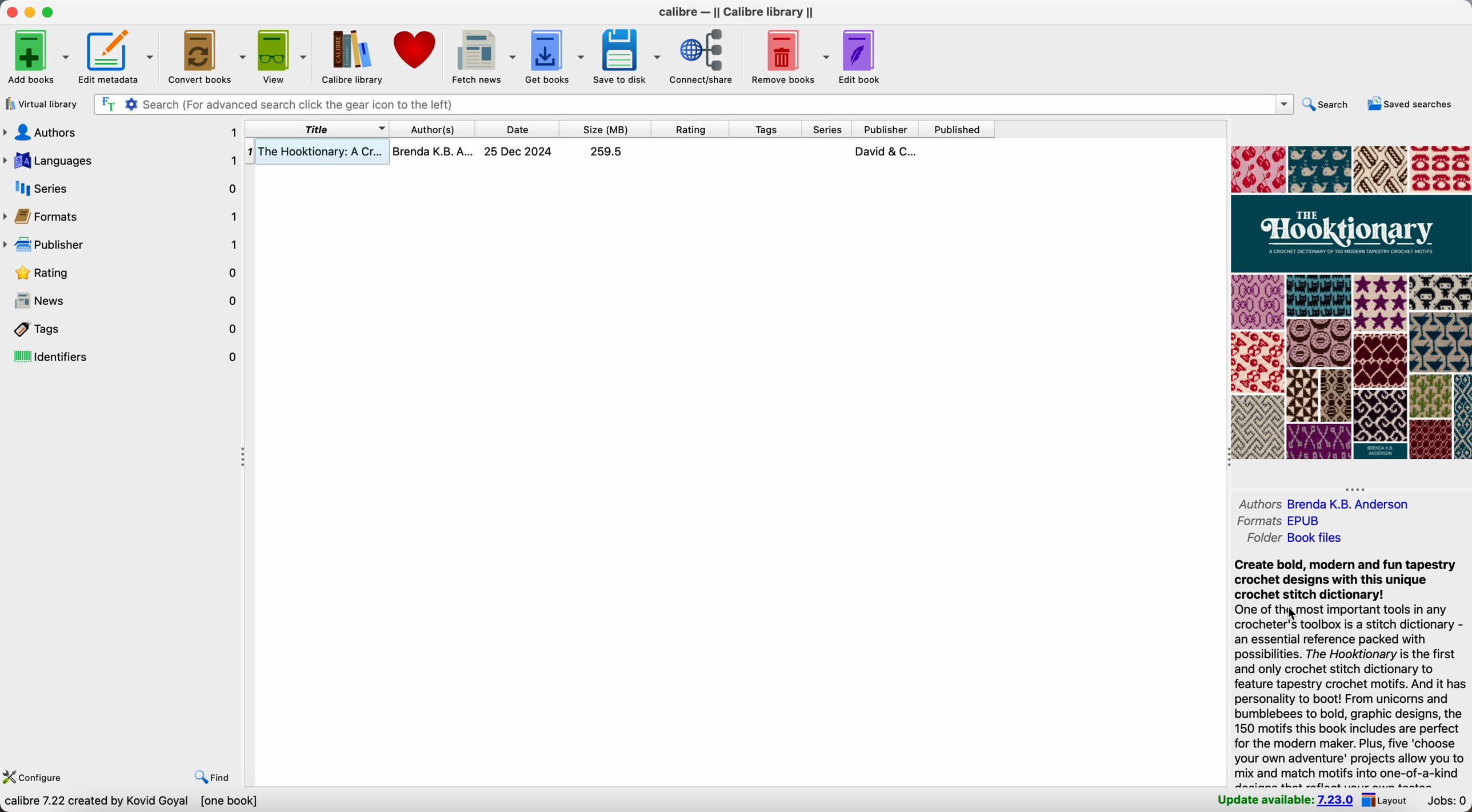 Image resolution: width=1472 pixels, height=812 pixels. I want to click on connect/share, so click(705, 55).